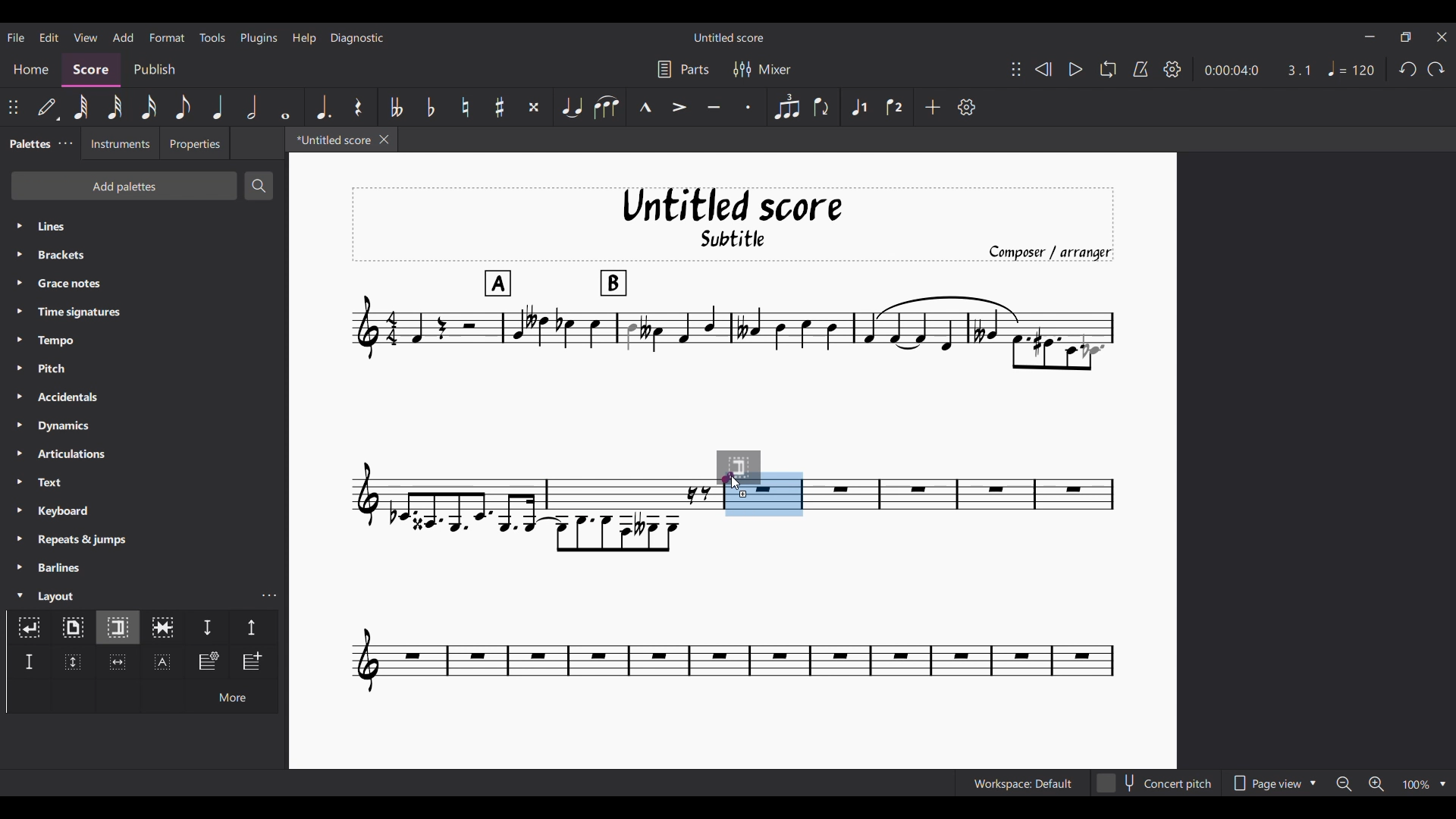 The height and width of the screenshot is (819, 1456). What do you see at coordinates (322, 107) in the screenshot?
I see `Augmentation dot` at bounding box center [322, 107].